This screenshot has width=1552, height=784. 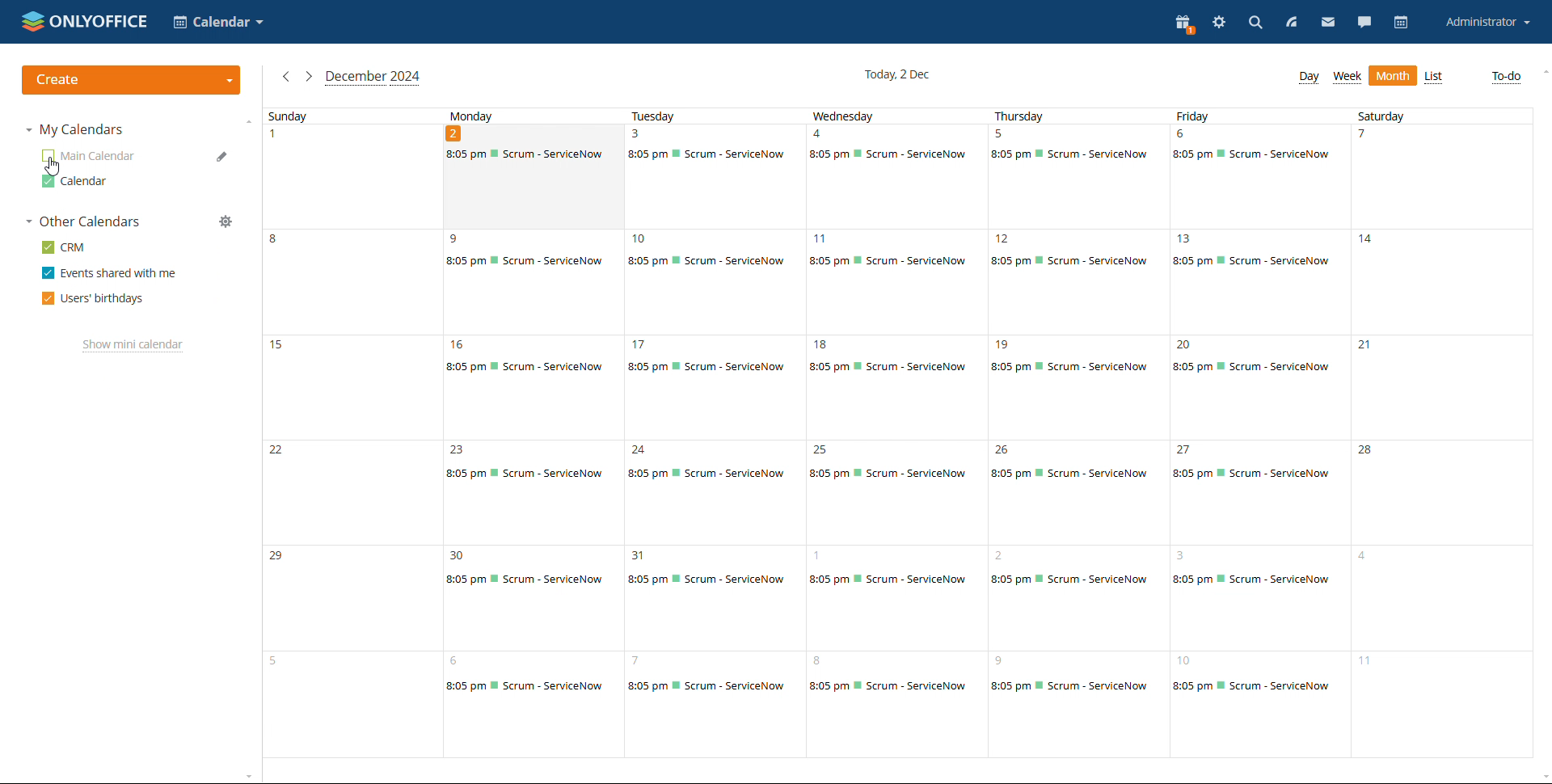 What do you see at coordinates (223, 158) in the screenshot?
I see `edit` at bounding box center [223, 158].